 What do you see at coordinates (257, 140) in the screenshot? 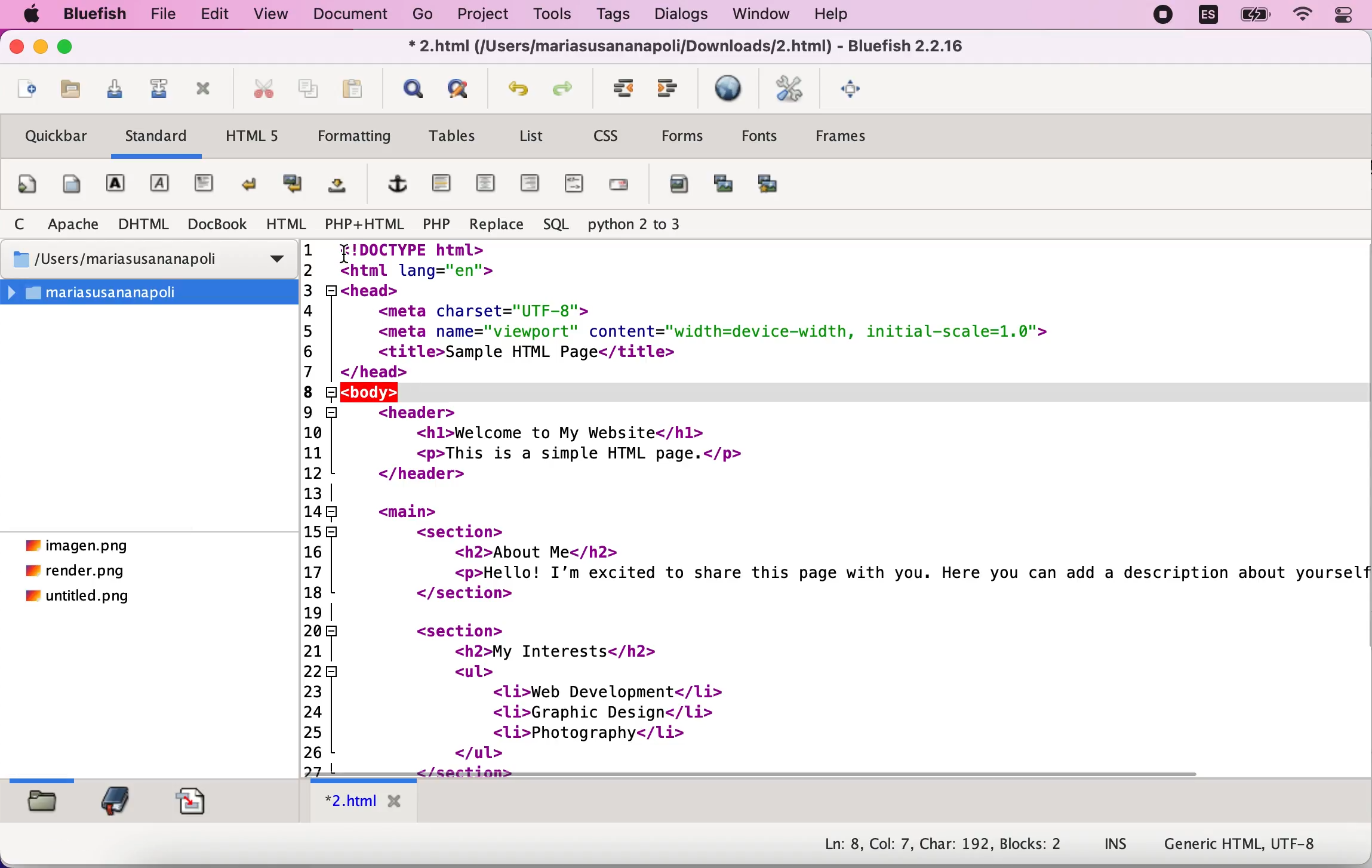
I see `html5` at bounding box center [257, 140].